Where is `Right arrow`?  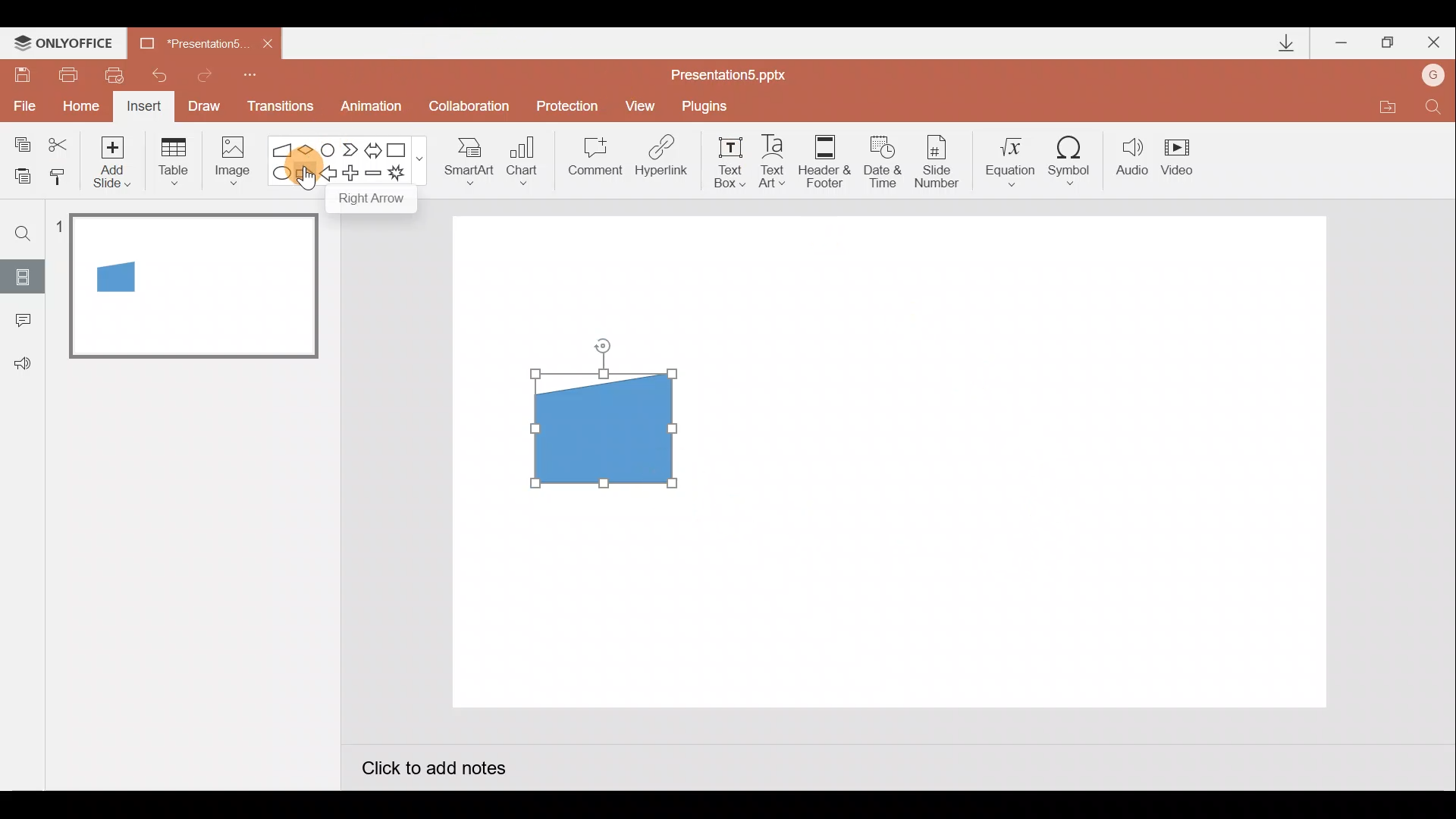
Right arrow is located at coordinates (373, 201).